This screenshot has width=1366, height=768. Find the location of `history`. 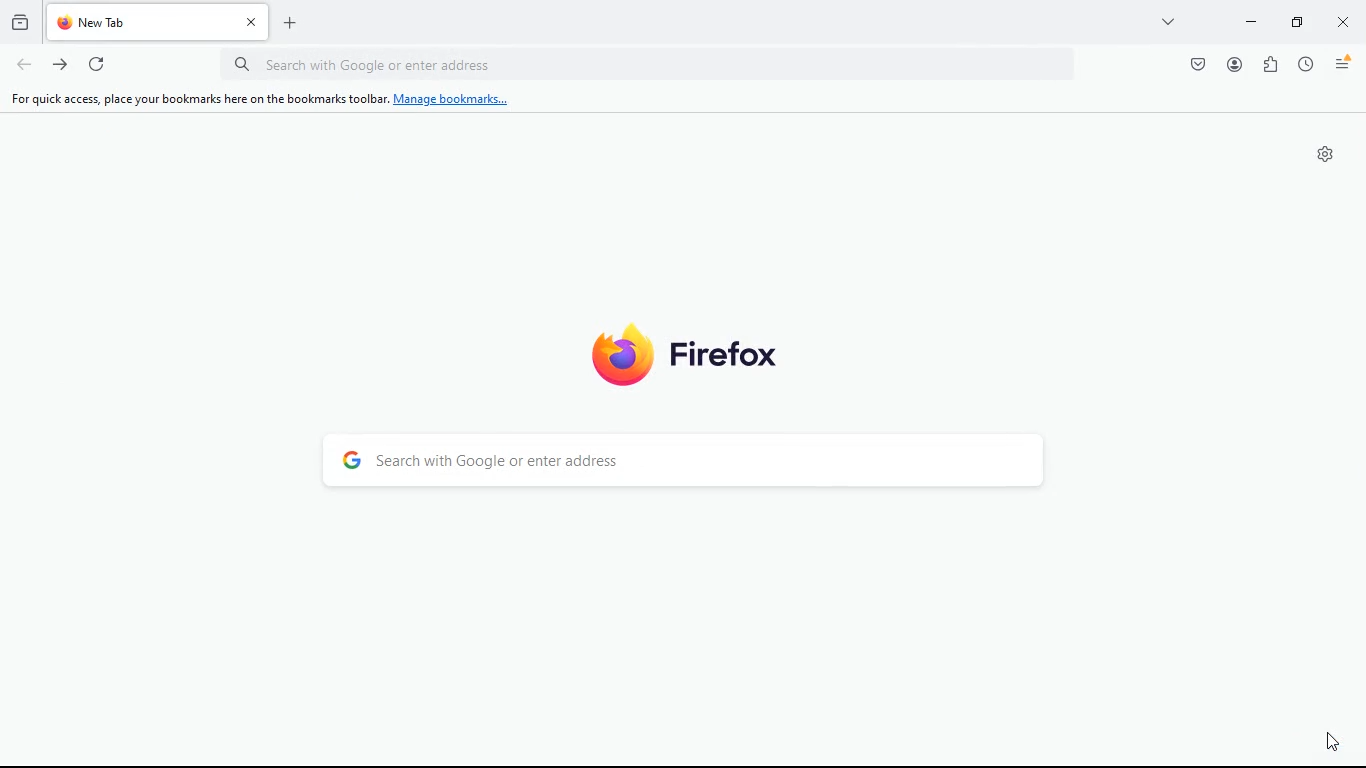

history is located at coordinates (20, 20).